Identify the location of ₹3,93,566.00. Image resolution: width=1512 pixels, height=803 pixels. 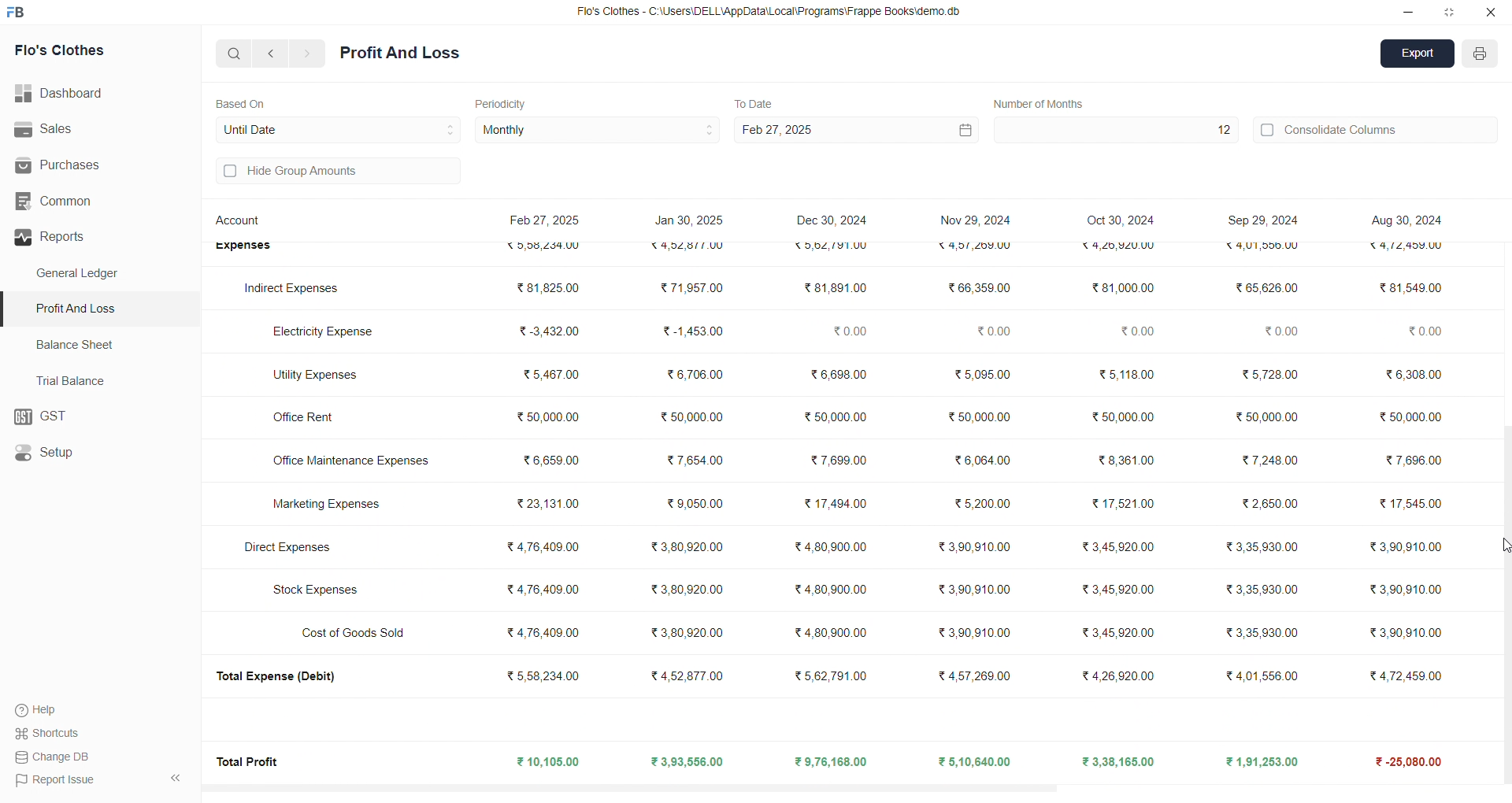
(686, 762).